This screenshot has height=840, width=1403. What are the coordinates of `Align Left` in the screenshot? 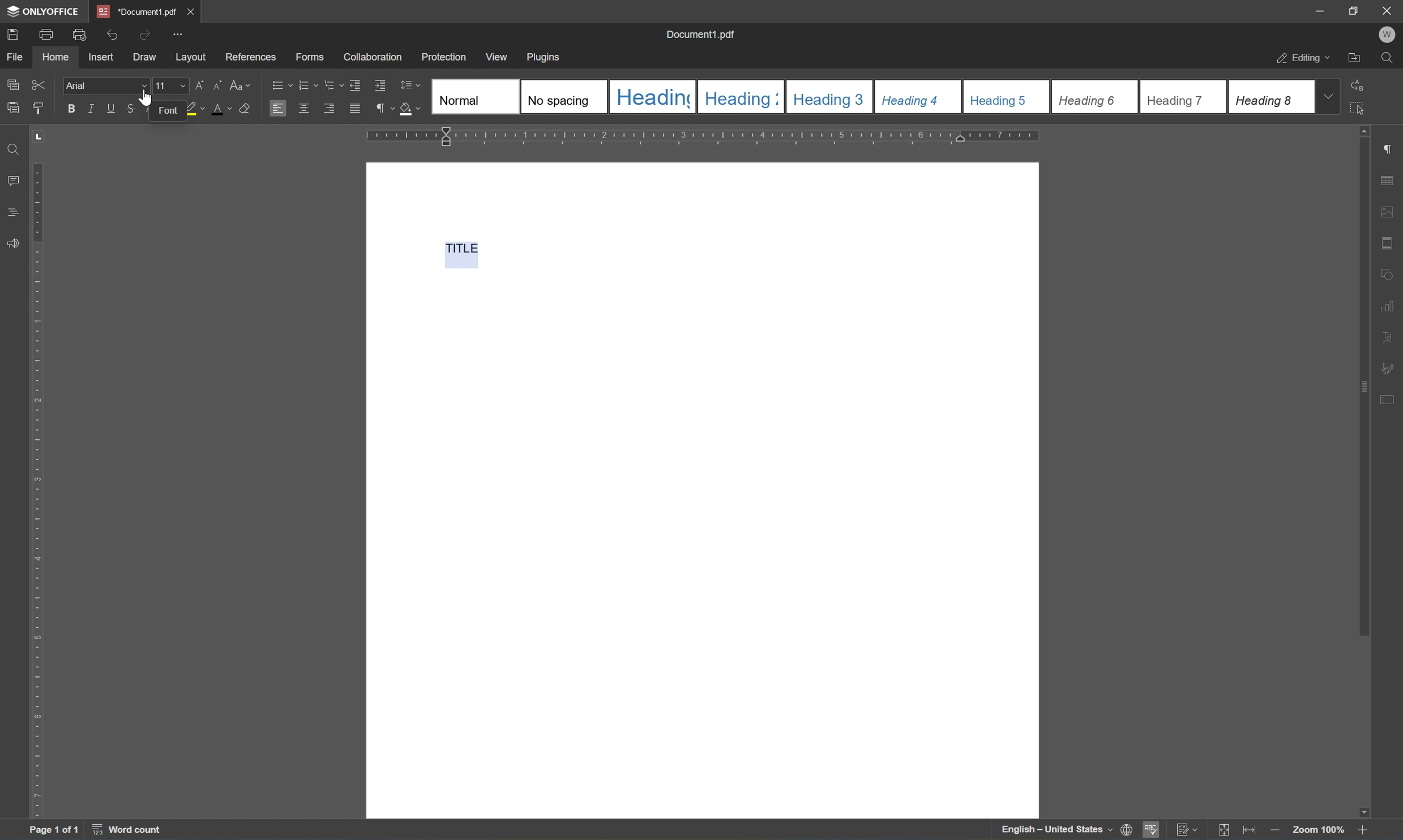 It's located at (278, 108).